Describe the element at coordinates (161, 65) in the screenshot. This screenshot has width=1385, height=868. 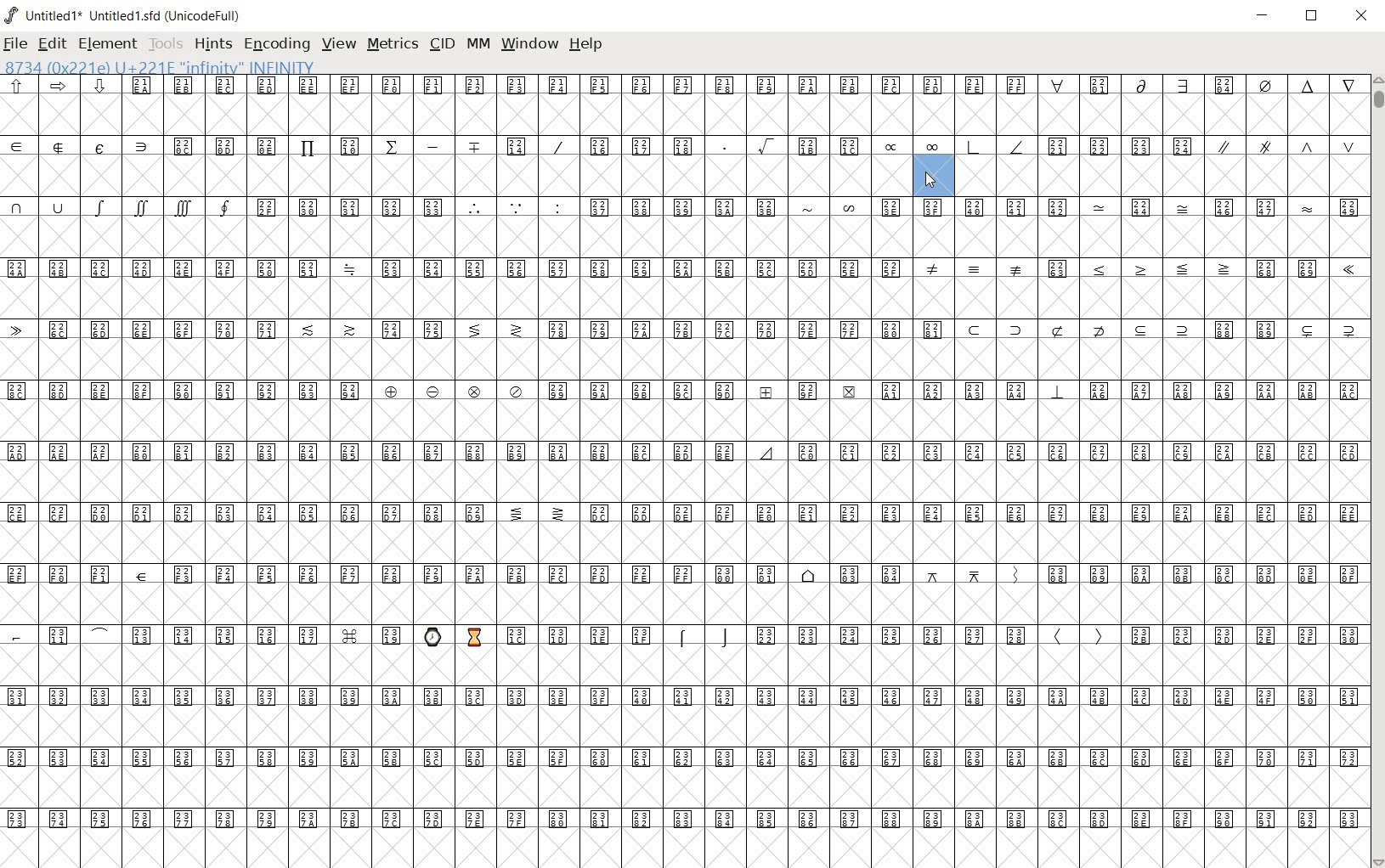
I see `8734 (0x221e) U+221e "infinity" INFINITY` at that location.